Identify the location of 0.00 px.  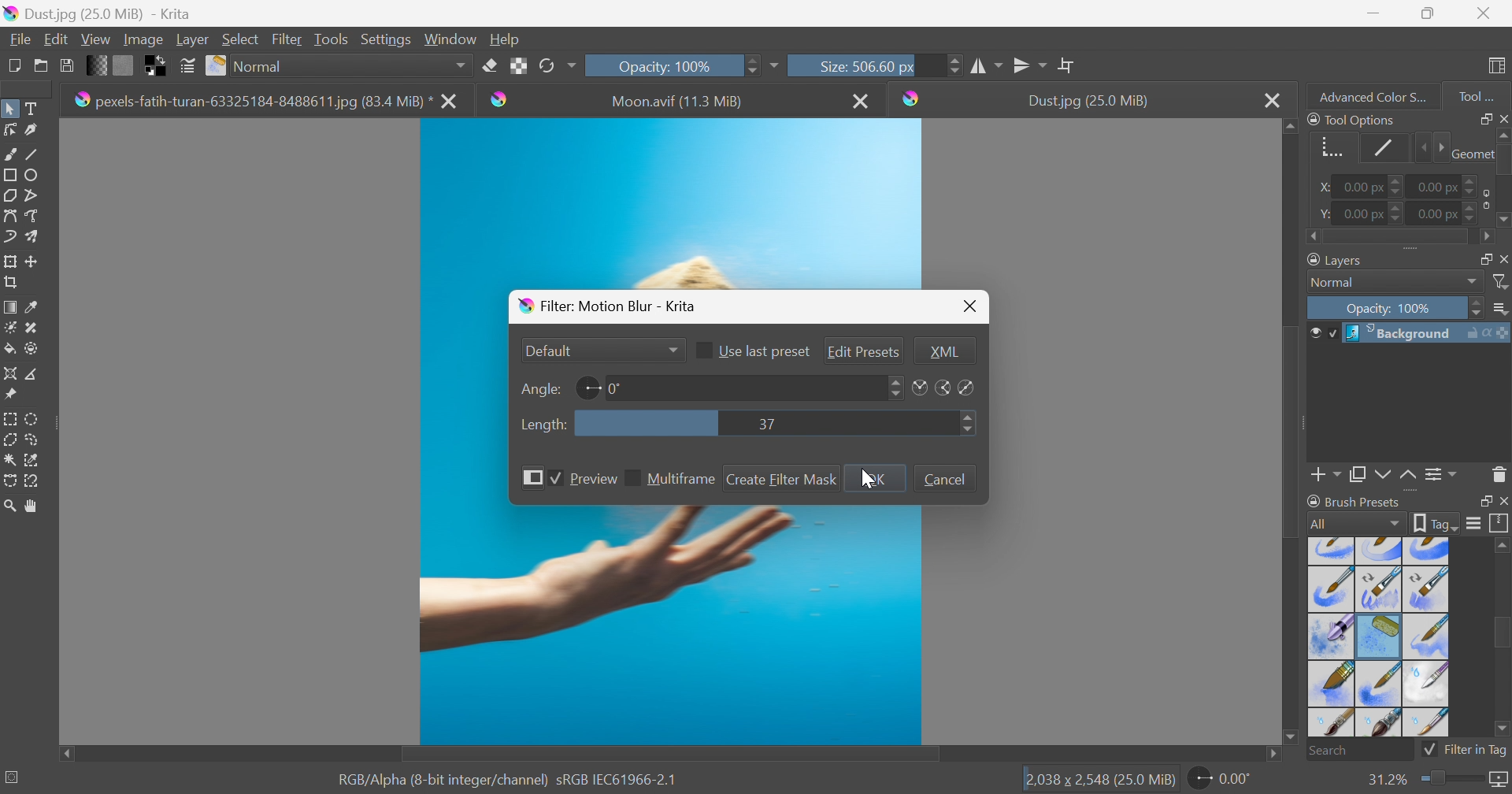
(1361, 187).